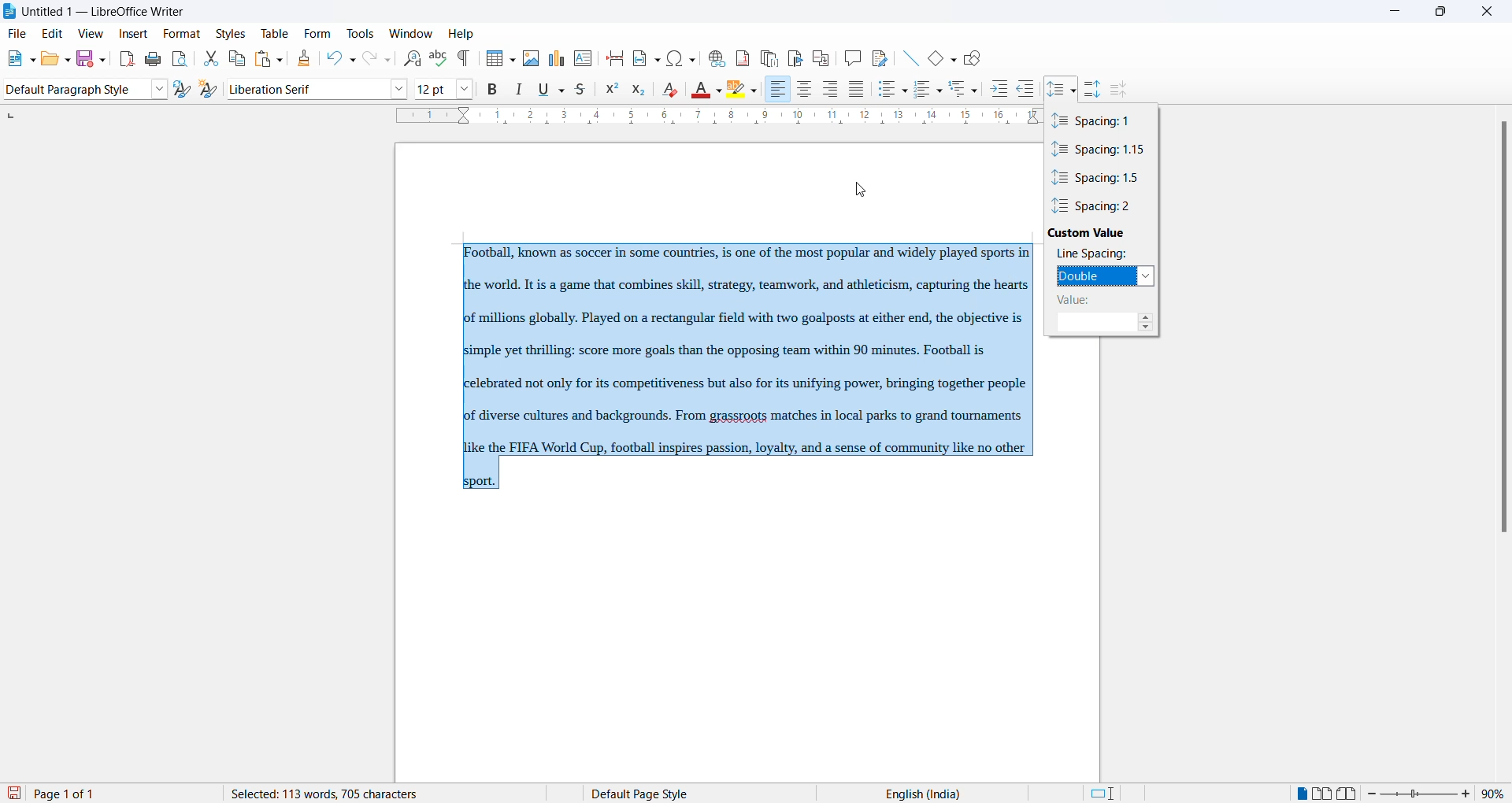 The image size is (1512, 803). I want to click on strike through, so click(580, 88).